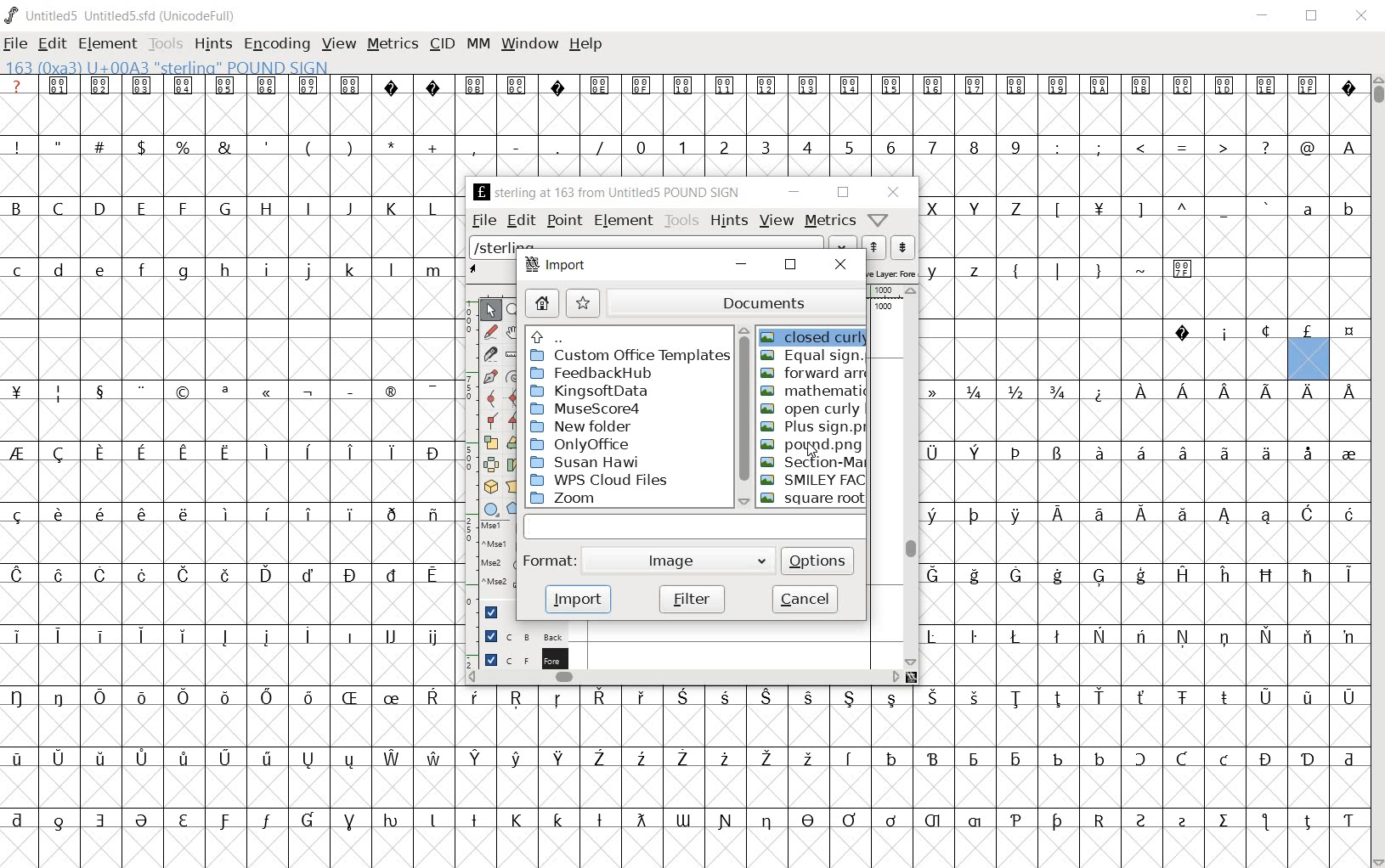 The image size is (1385, 868). What do you see at coordinates (1307, 146) in the screenshot?
I see `@` at bounding box center [1307, 146].